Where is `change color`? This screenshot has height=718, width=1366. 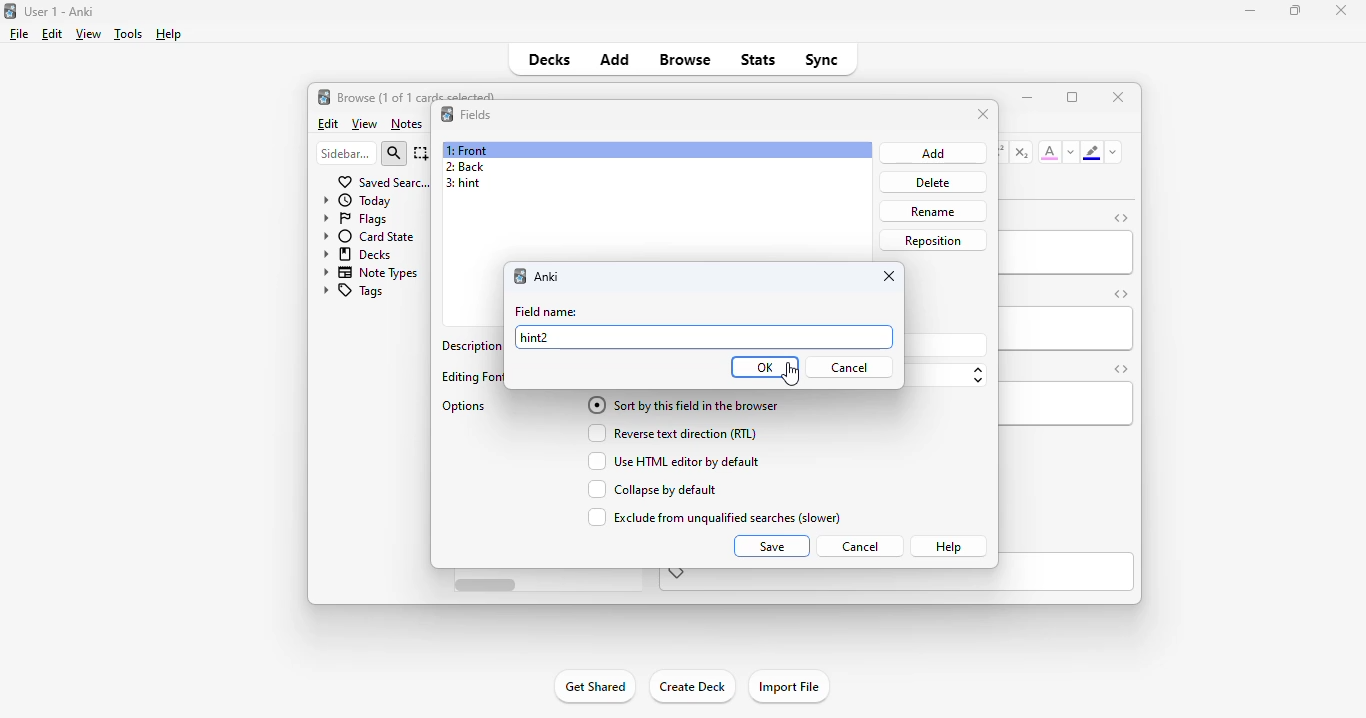
change color is located at coordinates (1113, 152).